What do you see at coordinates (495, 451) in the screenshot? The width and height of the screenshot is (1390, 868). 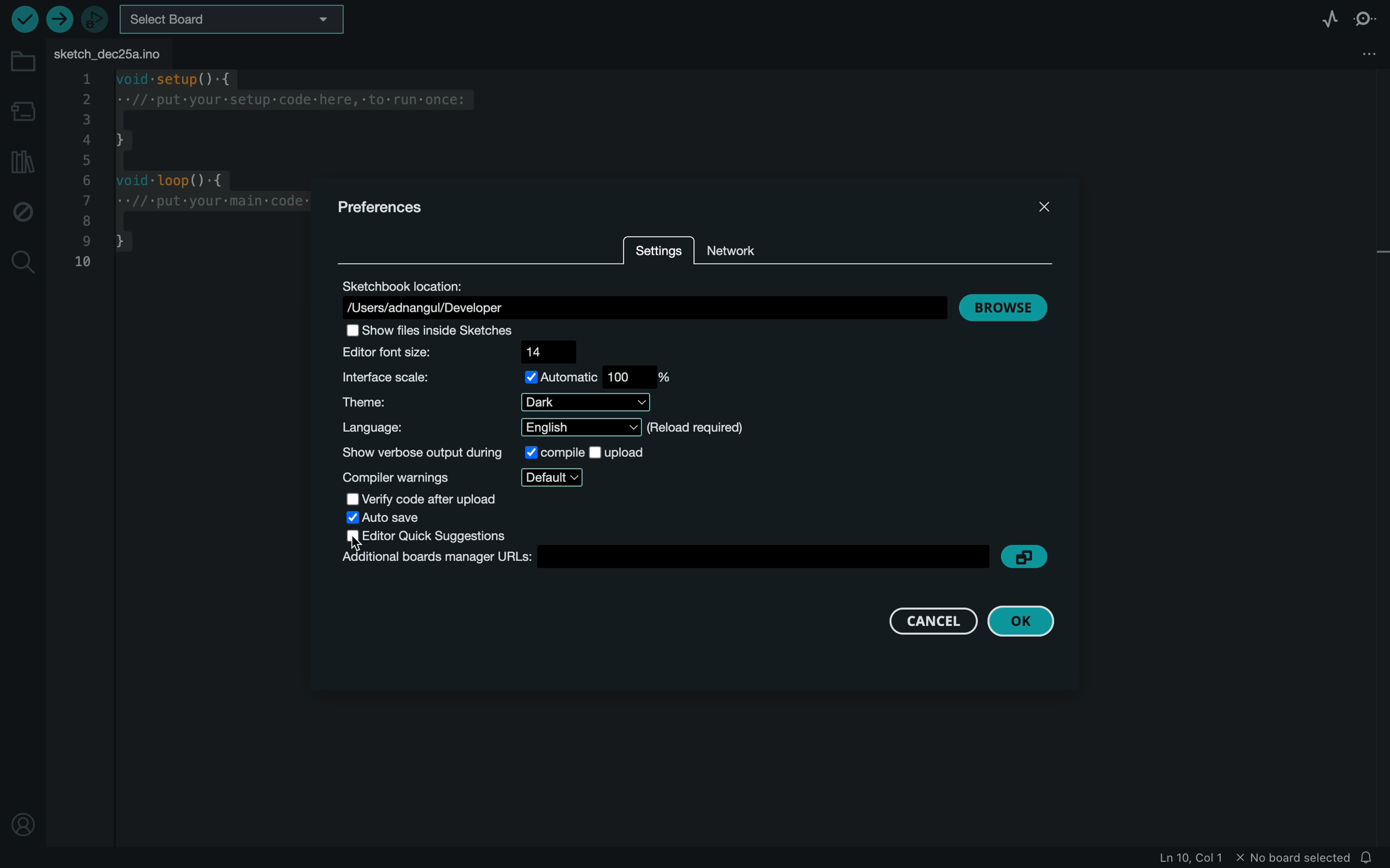 I see `show  verbose` at bounding box center [495, 451].